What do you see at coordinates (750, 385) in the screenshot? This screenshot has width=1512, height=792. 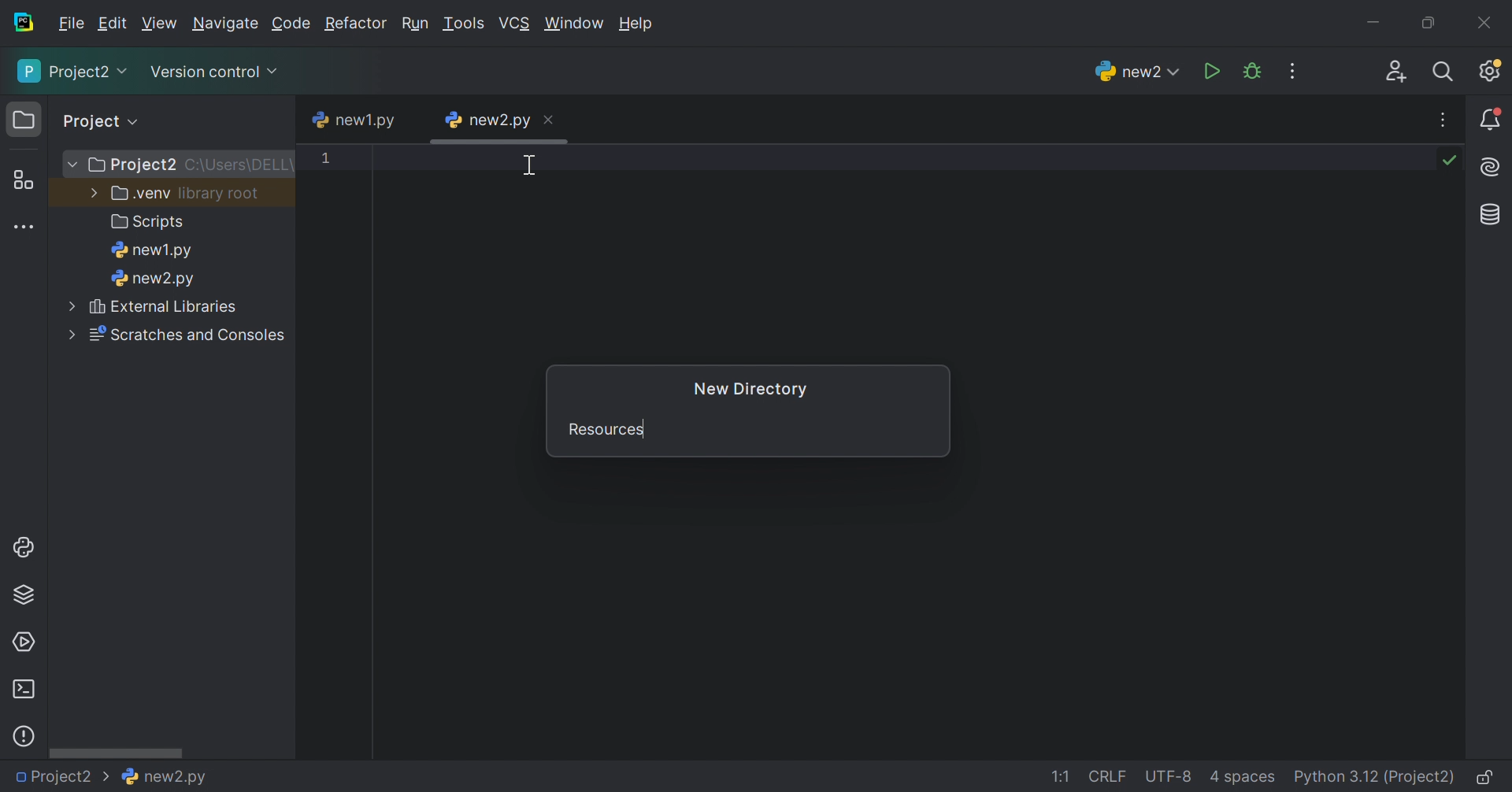 I see `New Directory` at bounding box center [750, 385].